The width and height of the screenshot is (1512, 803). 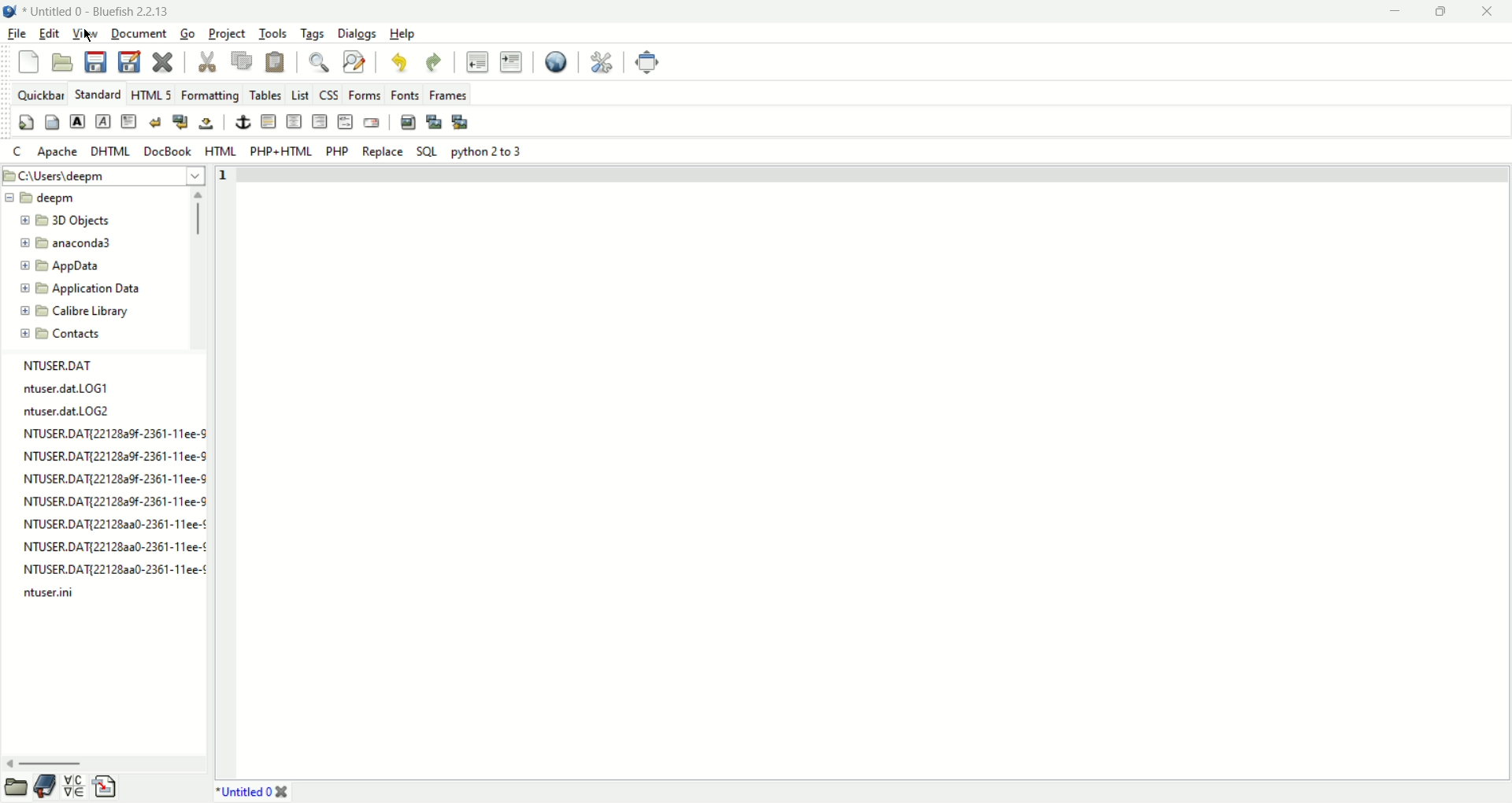 I want to click on List, so click(x=302, y=94).